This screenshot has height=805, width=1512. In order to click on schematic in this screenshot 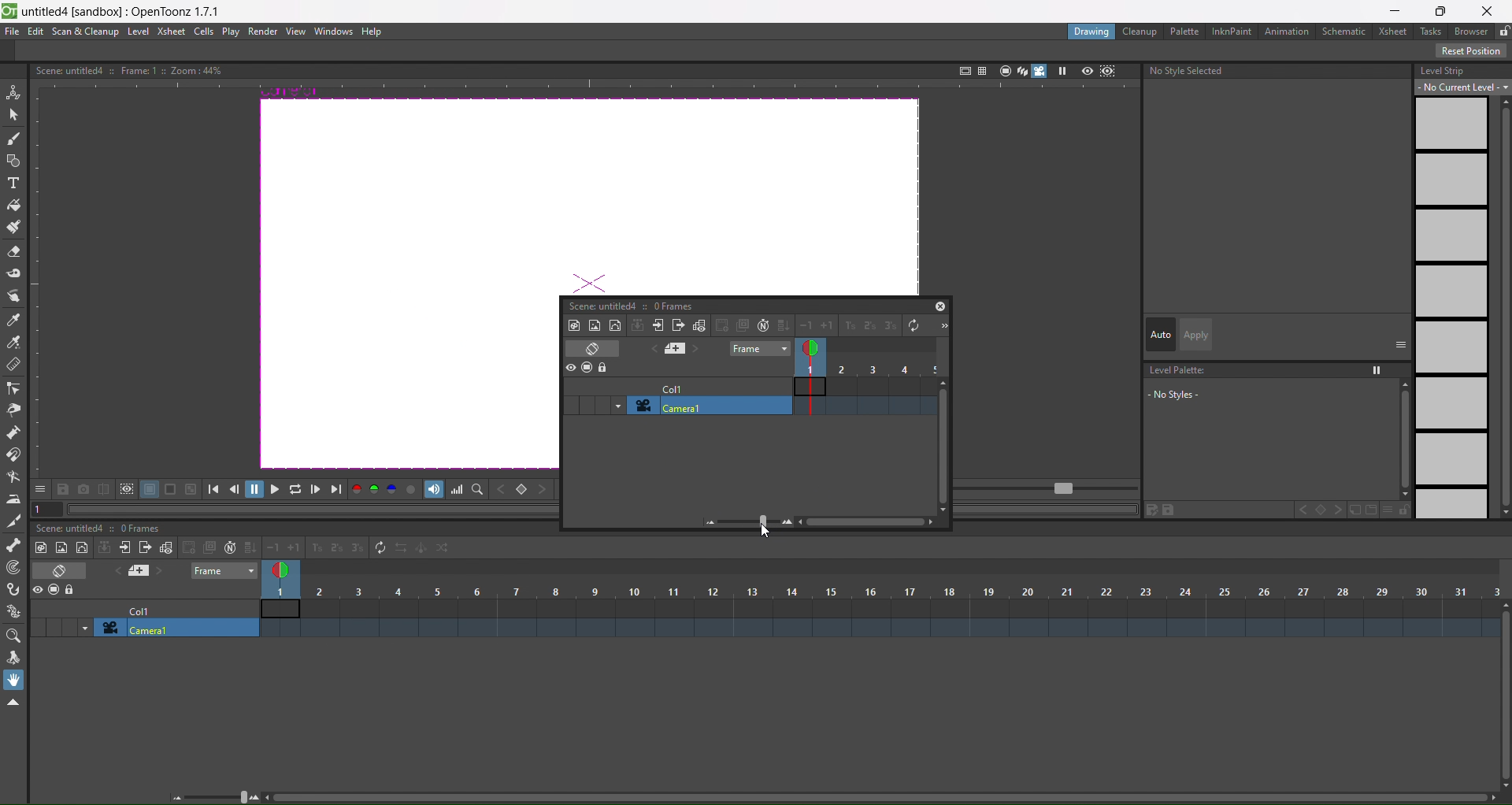, I will do `click(1347, 32)`.